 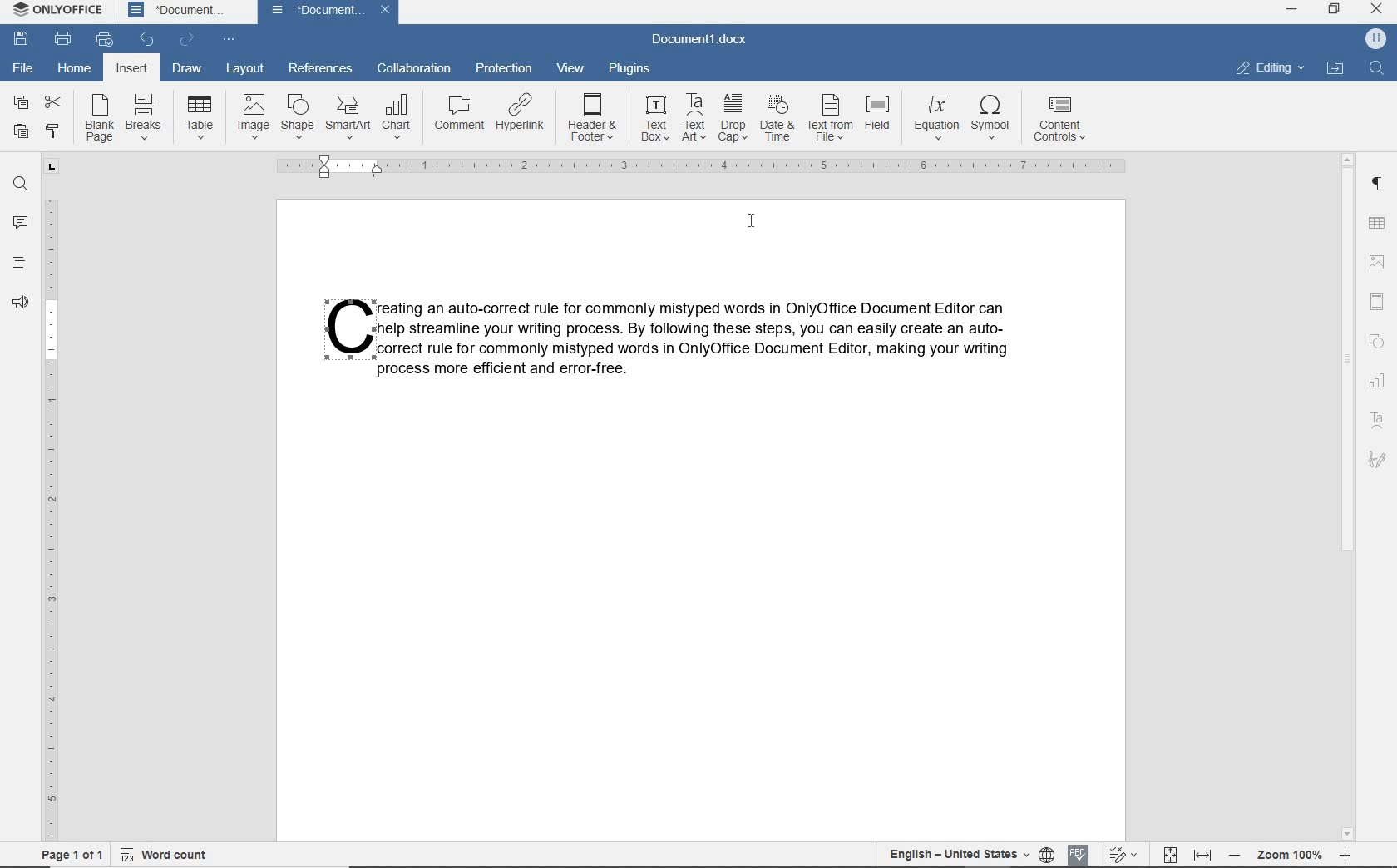 I want to click on text language, so click(x=958, y=855).